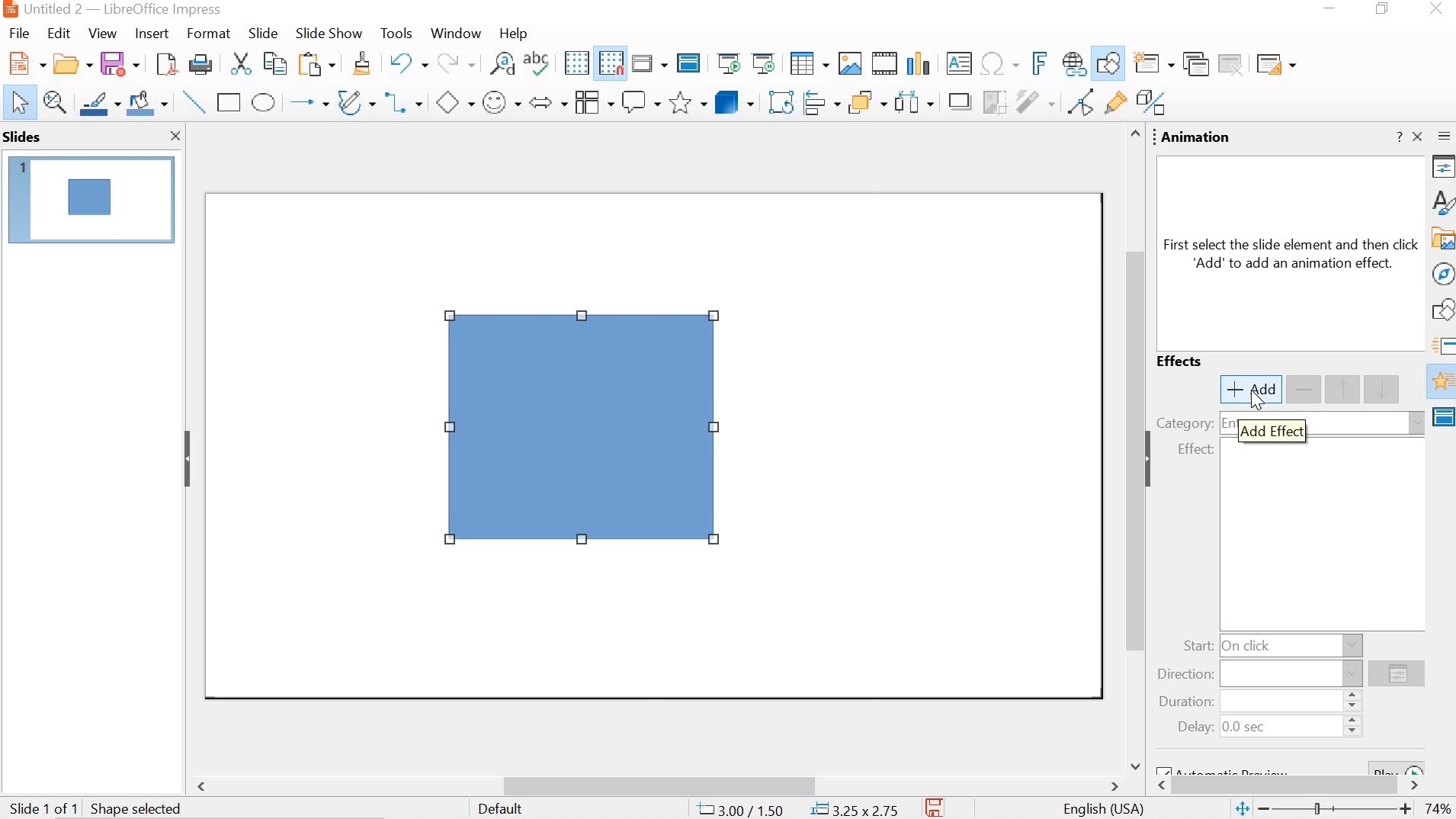 The width and height of the screenshot is (1456, 819). What do you see at coordinates (1150, 63) in the screenshot?
I see `new slide` at bounding box center [1150, 63].